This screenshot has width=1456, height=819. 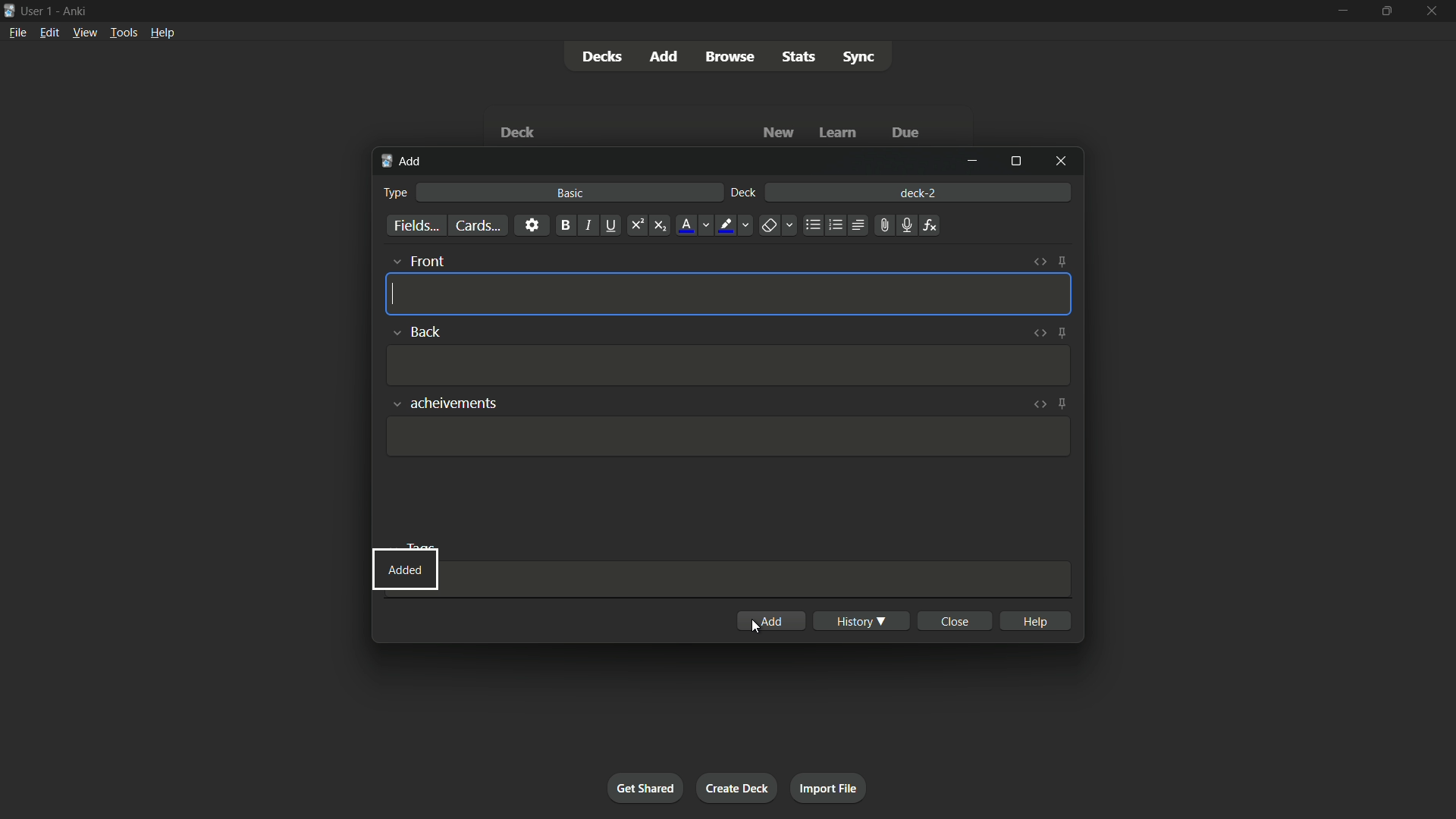 I want to click on attach, so click(x=883, y=226).